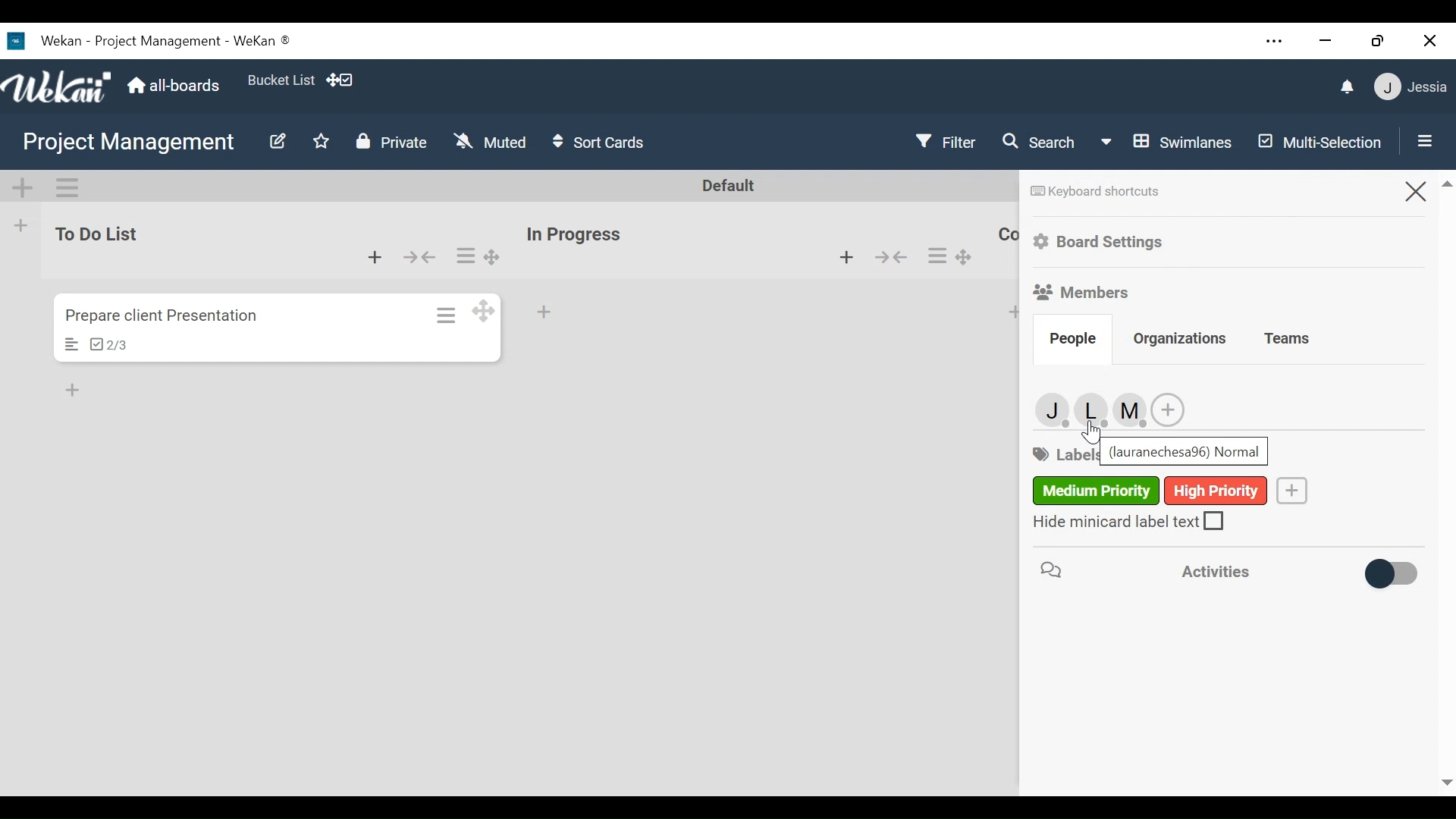 The width and height of the screenshot is (1456, 819). What do you see at coordinates (1103, 242) in the screenshot?
I see `Board settings` at bounding box center [1103, 242].